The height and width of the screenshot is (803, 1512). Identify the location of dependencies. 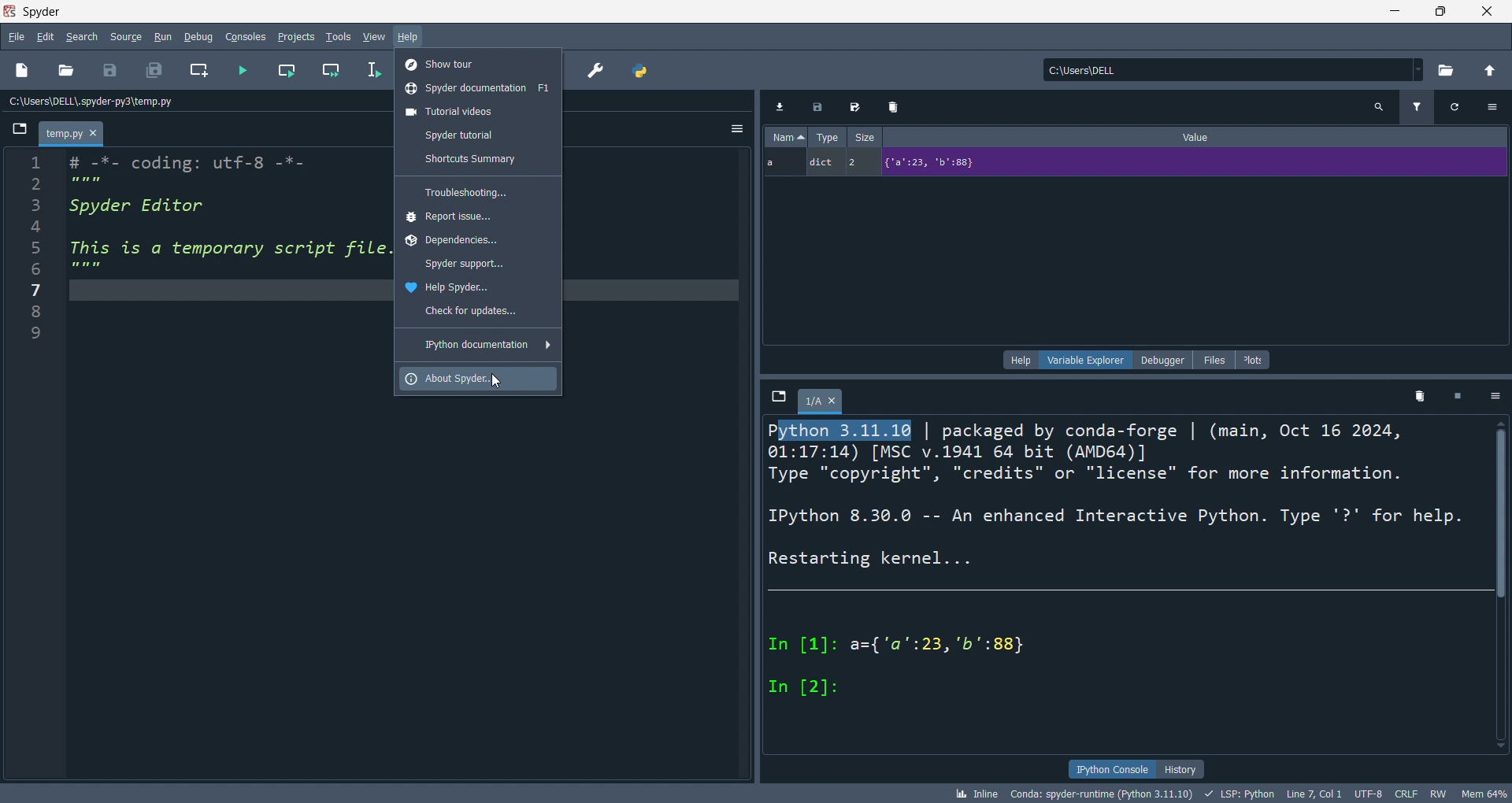
(478, 240).